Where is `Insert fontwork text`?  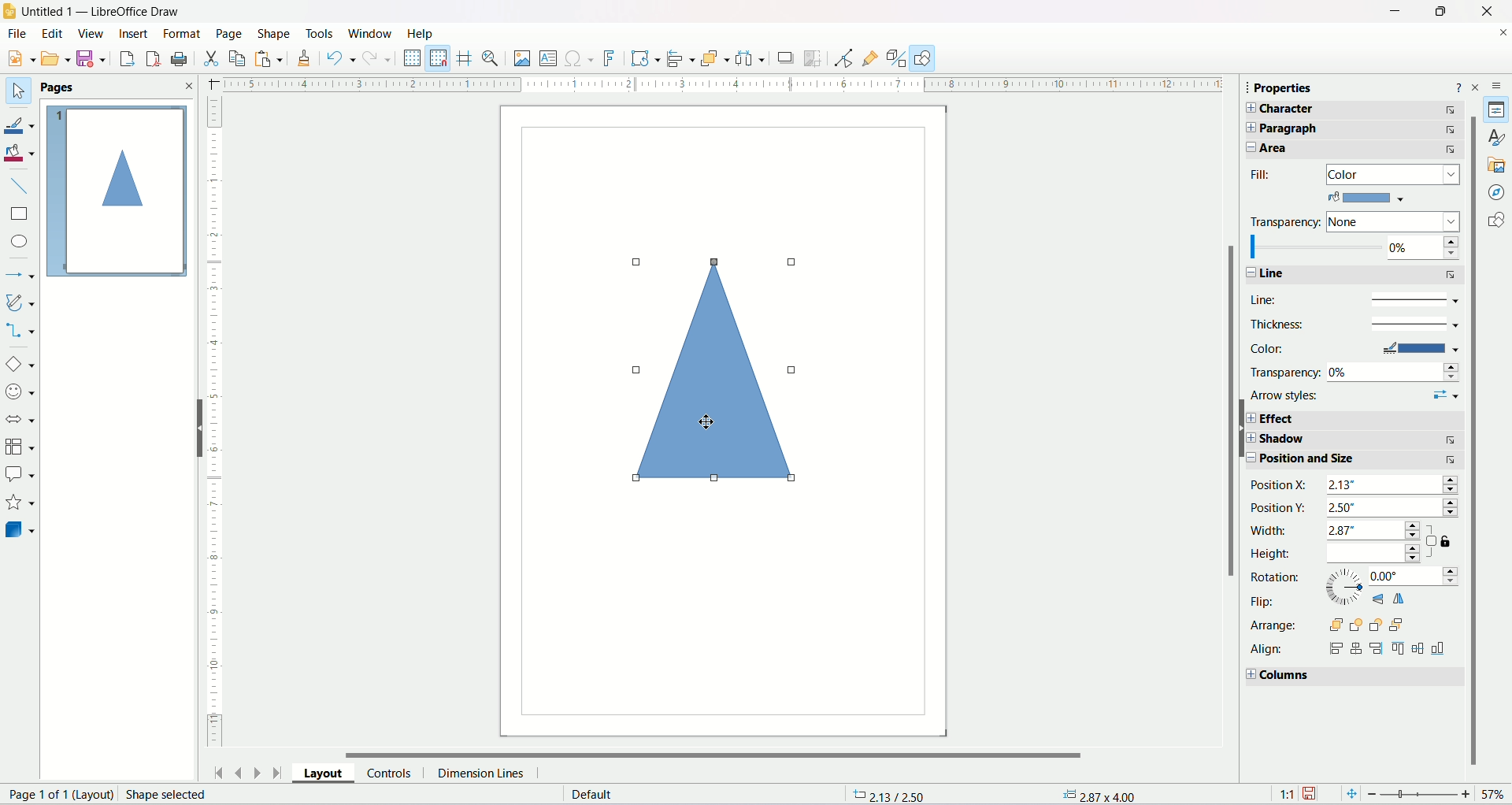
Insert fontwork text is located at coordinates (610, 57).